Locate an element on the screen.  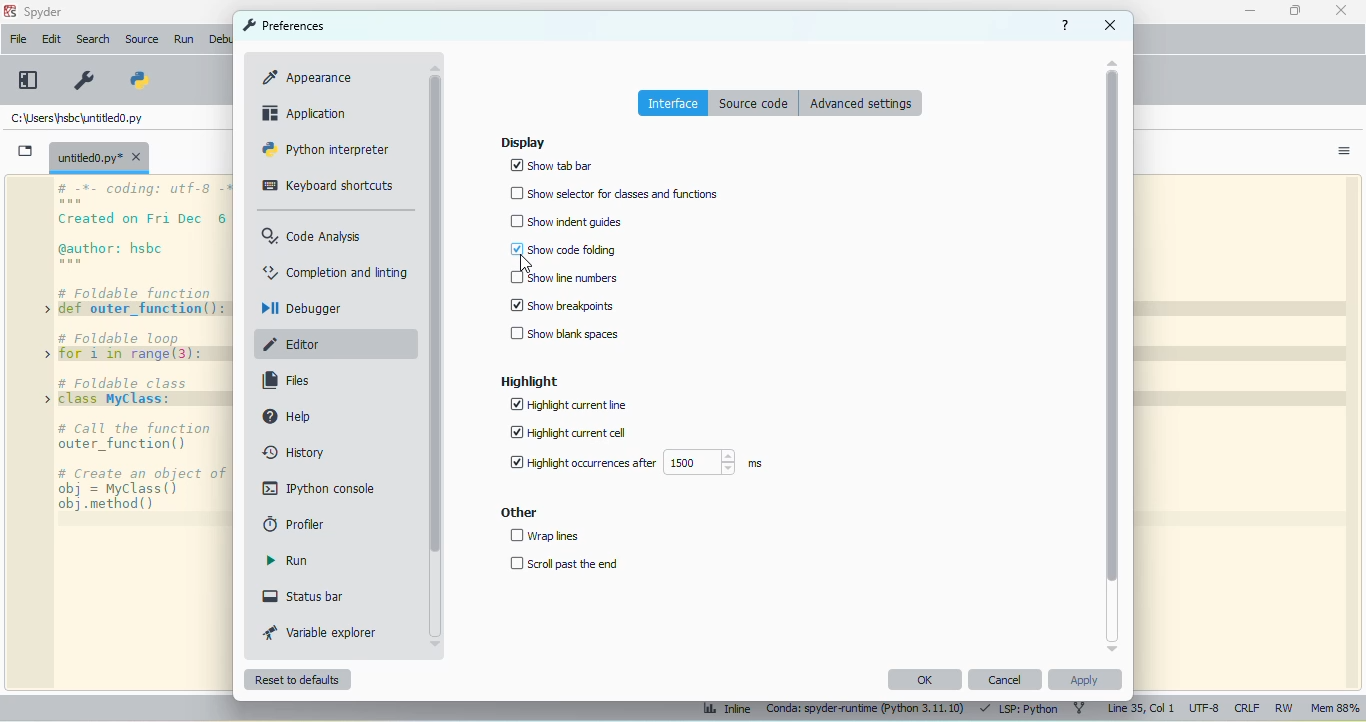
highlight occurrences after 1500 ms is located at coordinates (633, 462).